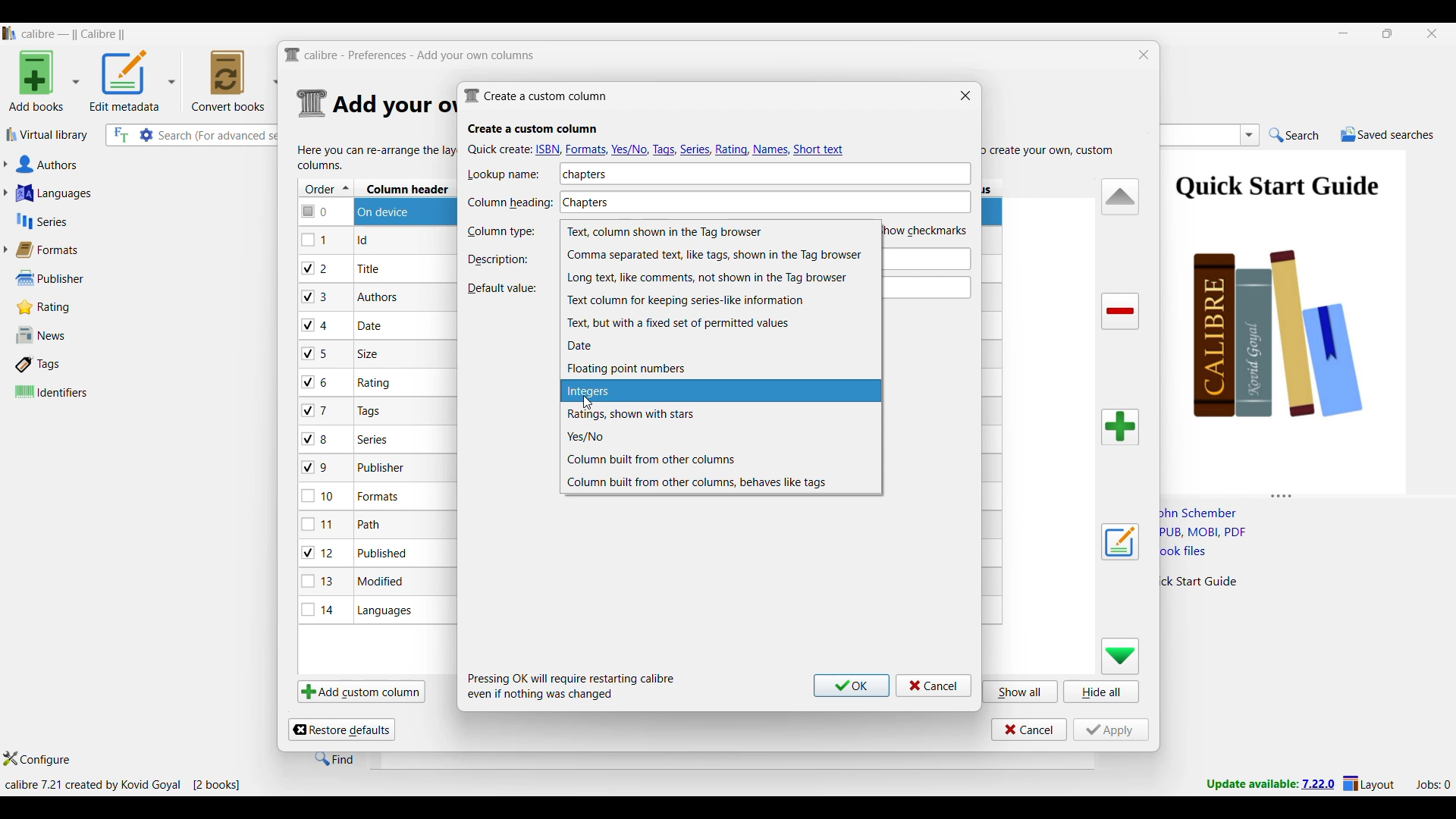  What do you see at coordinates (74, 391) in the screenshot?
I see `Identifiers` at bounding box center [74, 391].